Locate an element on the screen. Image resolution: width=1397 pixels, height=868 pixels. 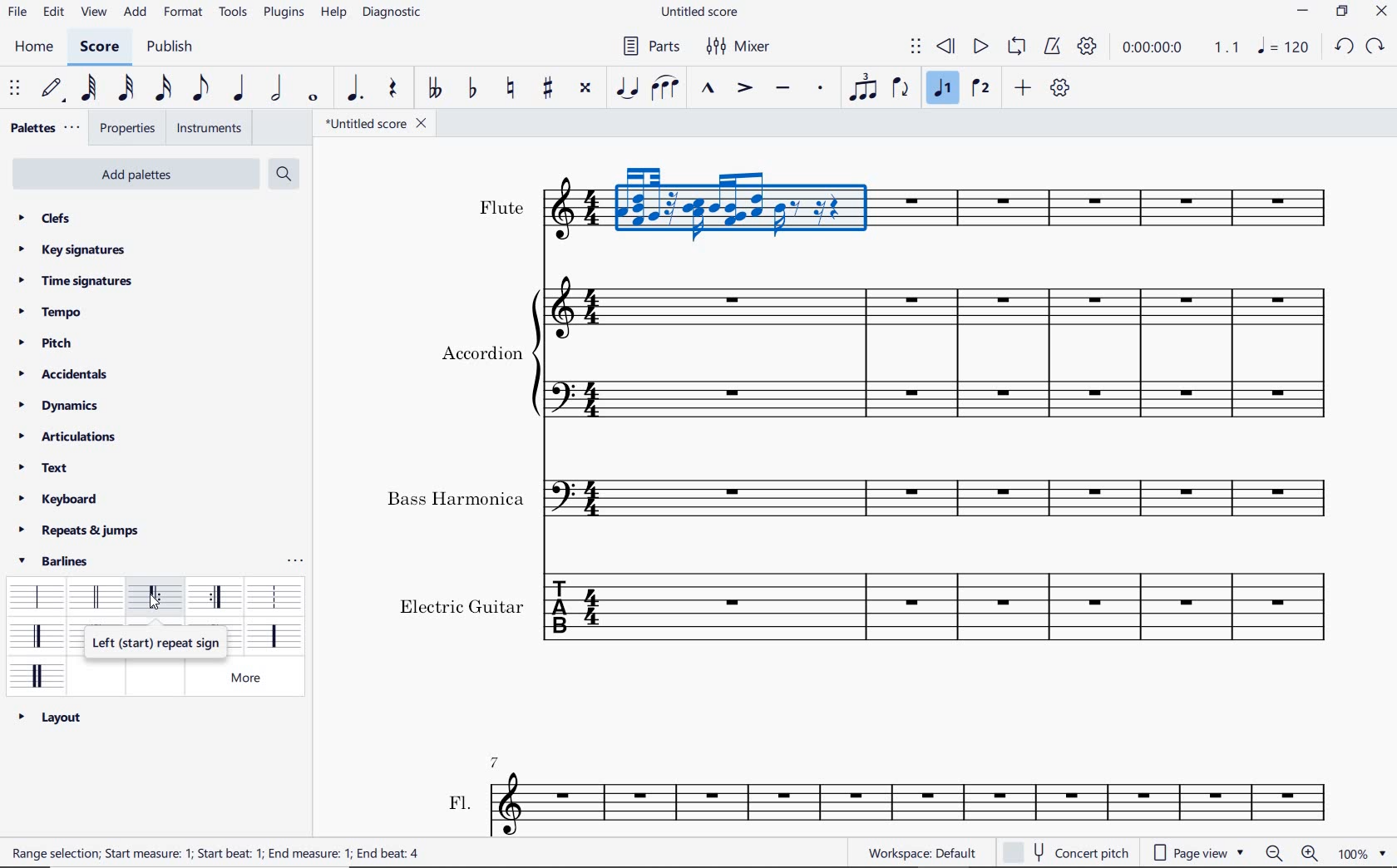
ZOOM OUT is located at coordinates (1274, 854).